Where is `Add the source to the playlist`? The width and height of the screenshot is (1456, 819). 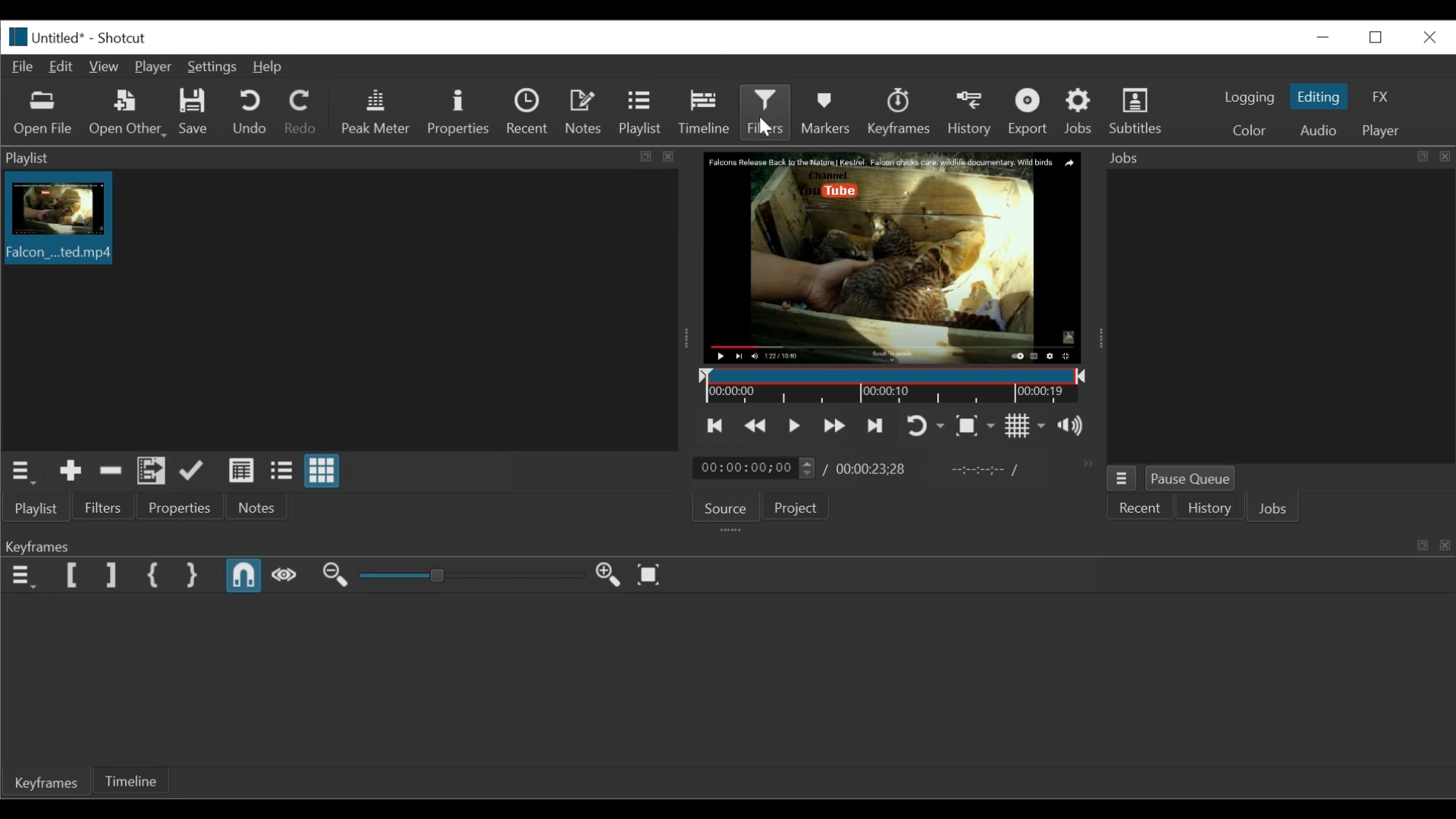 Add the source to the playlist is located at coordinates (67, 472).